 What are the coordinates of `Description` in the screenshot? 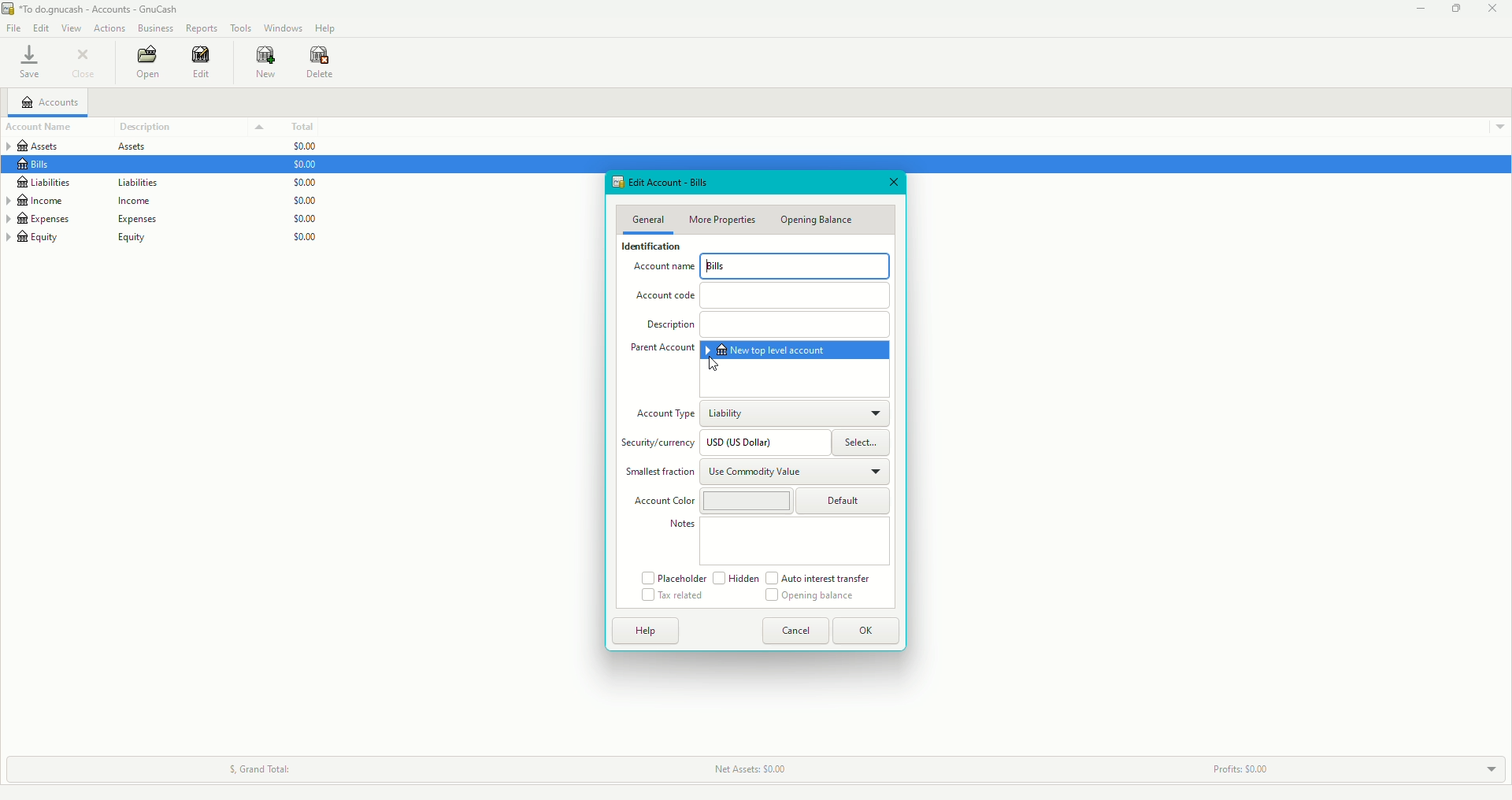 It's located at (192, 127).